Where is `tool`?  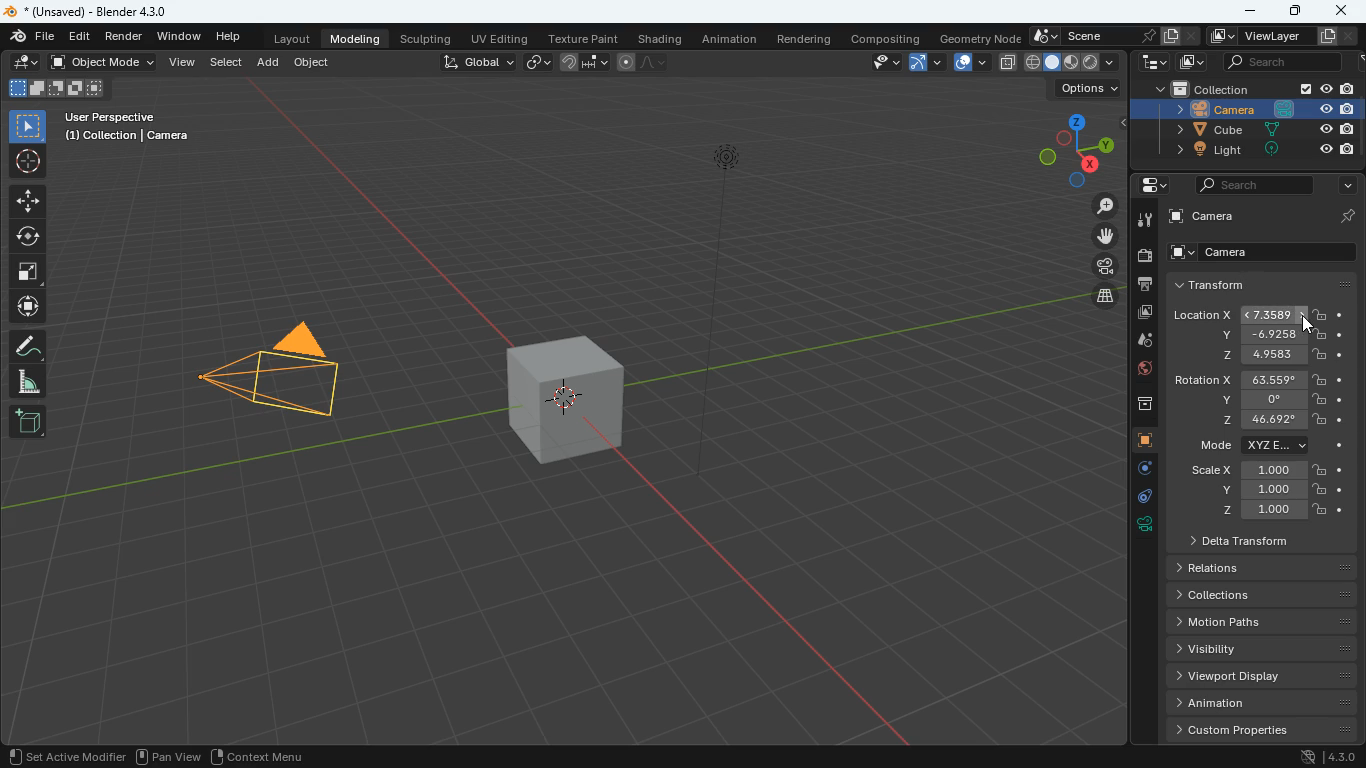 tool is located at coordinates (1145, 223).